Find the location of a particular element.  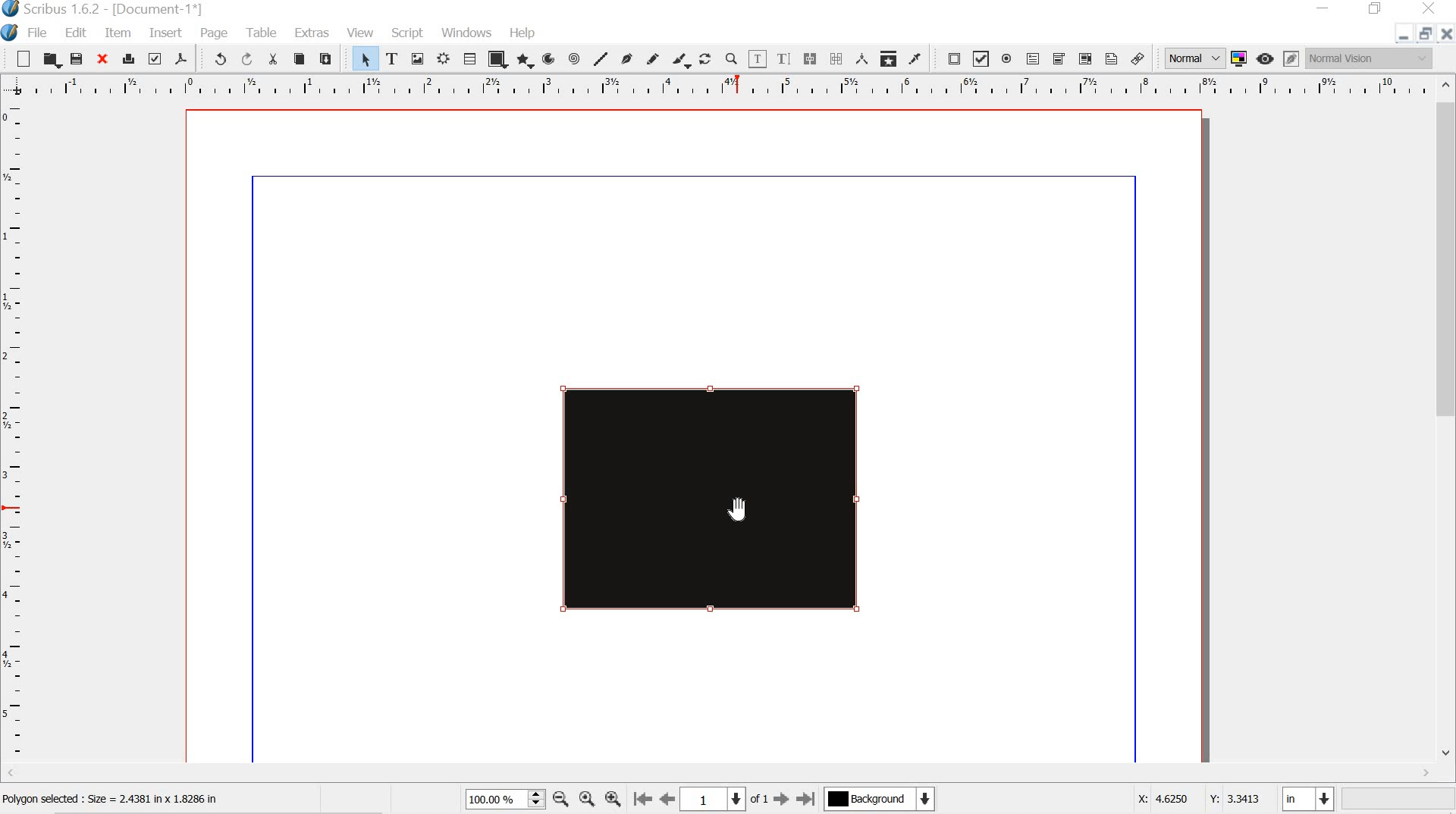

ruler is located at coordinates (14, 434).